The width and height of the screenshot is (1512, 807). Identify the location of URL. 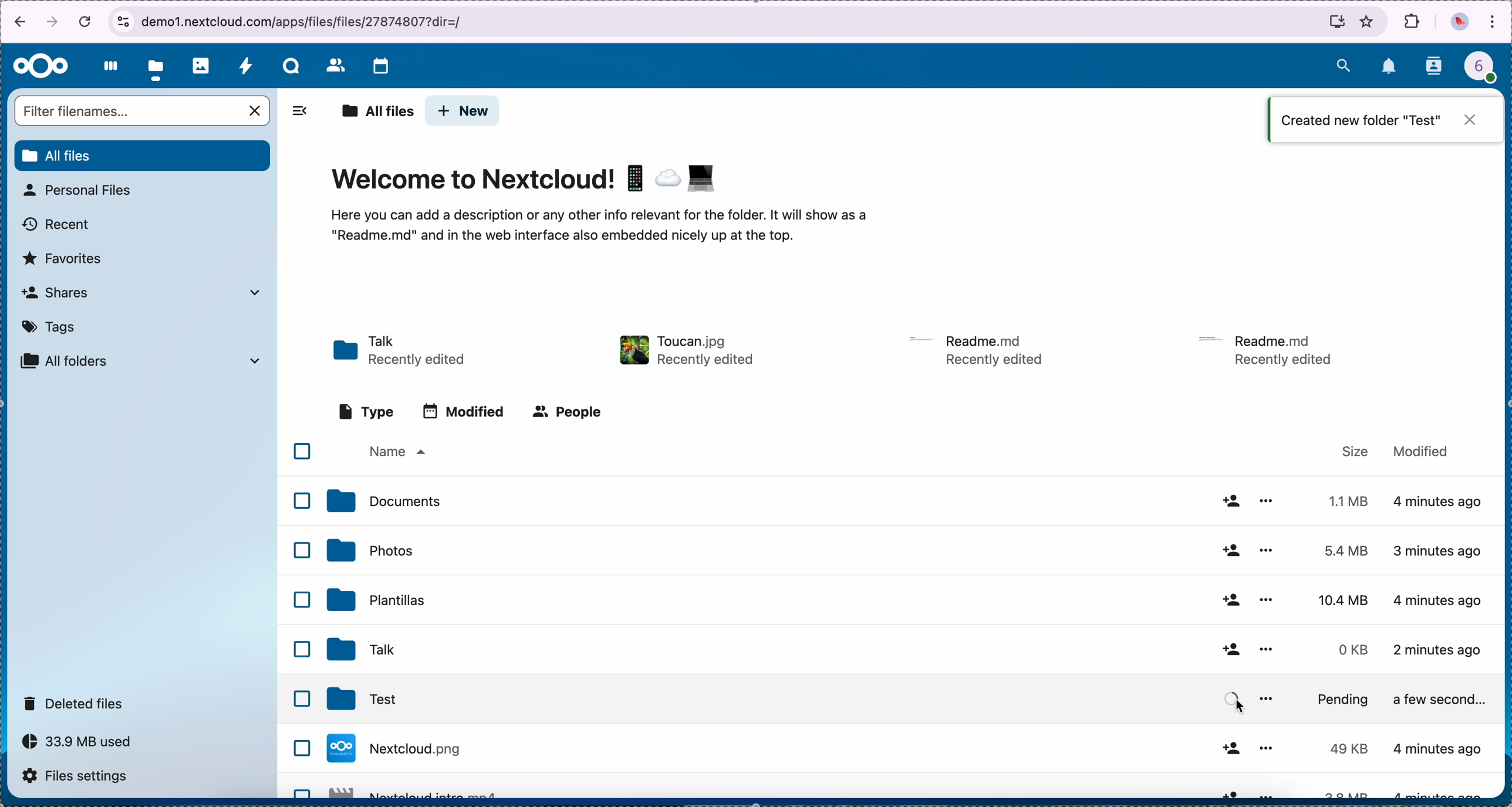
(310, 20).